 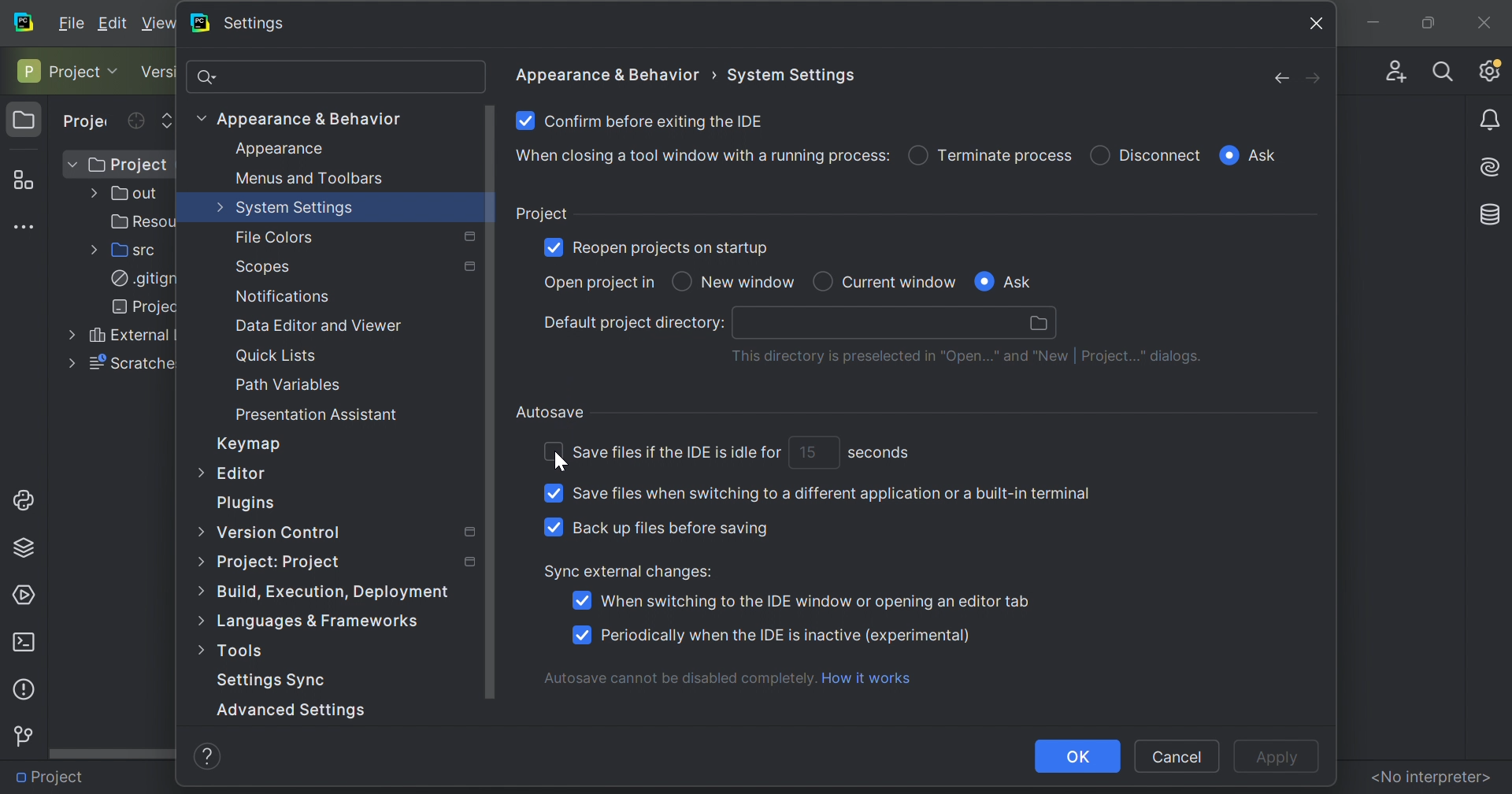 I want to click on help icon, so click(x=209, y=758).